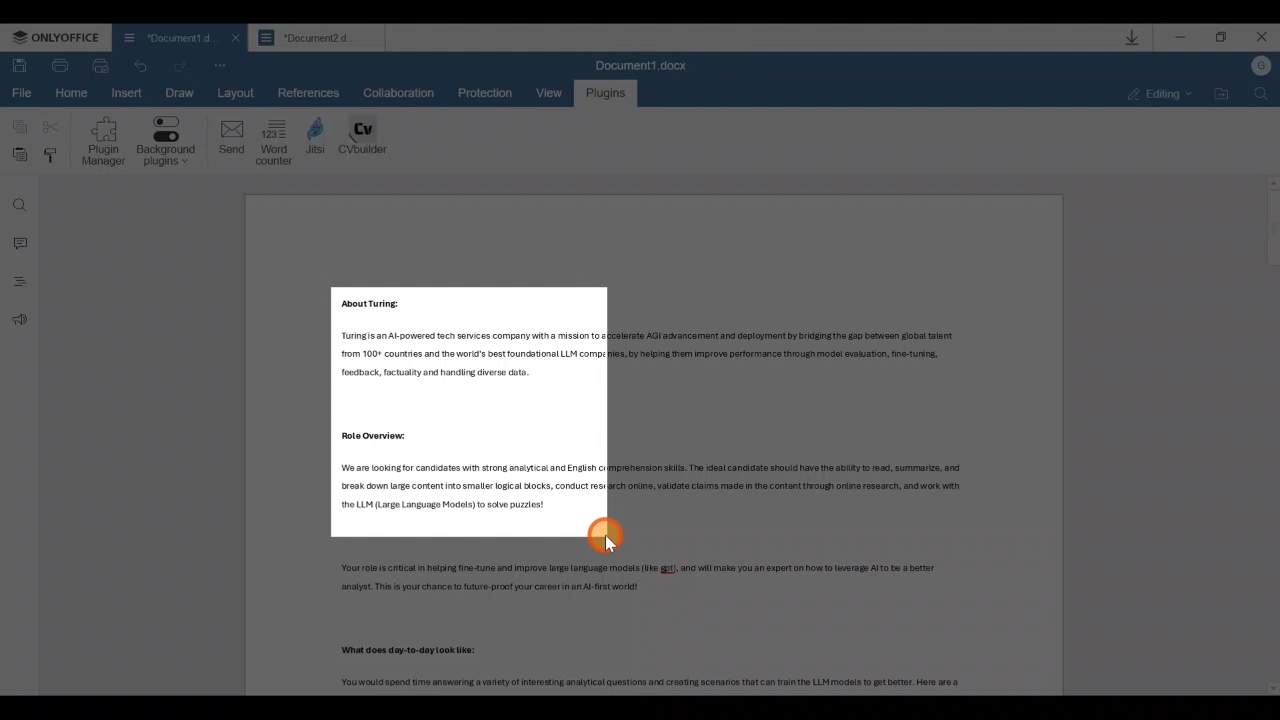 This screenshot has width=1280, height=720. I want to click on Insert, so click(124, 93).